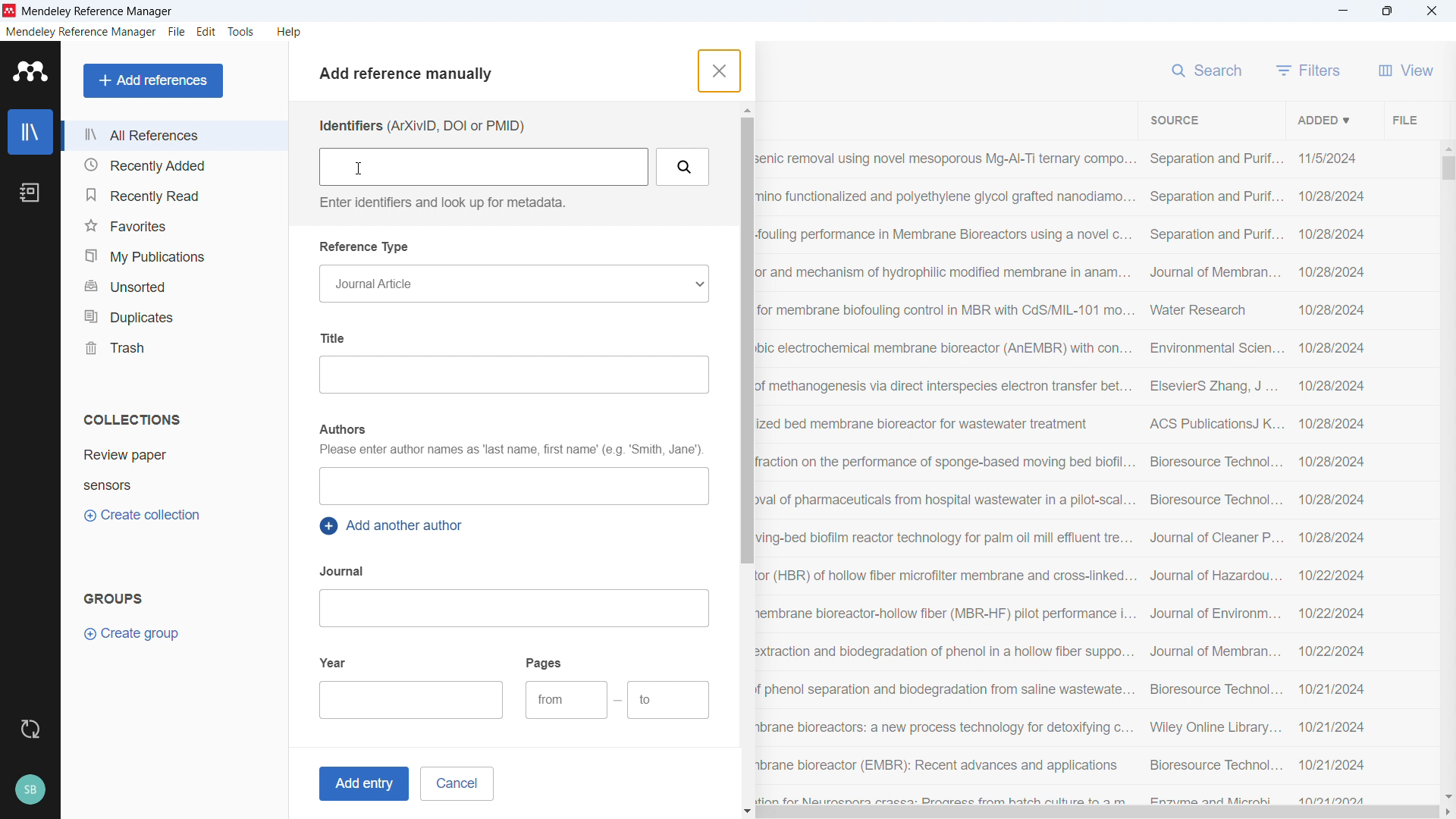  What do you see at coordinates (1309, 70) in the screenshot?
I see `filters` at bounding box center [1309, 70].